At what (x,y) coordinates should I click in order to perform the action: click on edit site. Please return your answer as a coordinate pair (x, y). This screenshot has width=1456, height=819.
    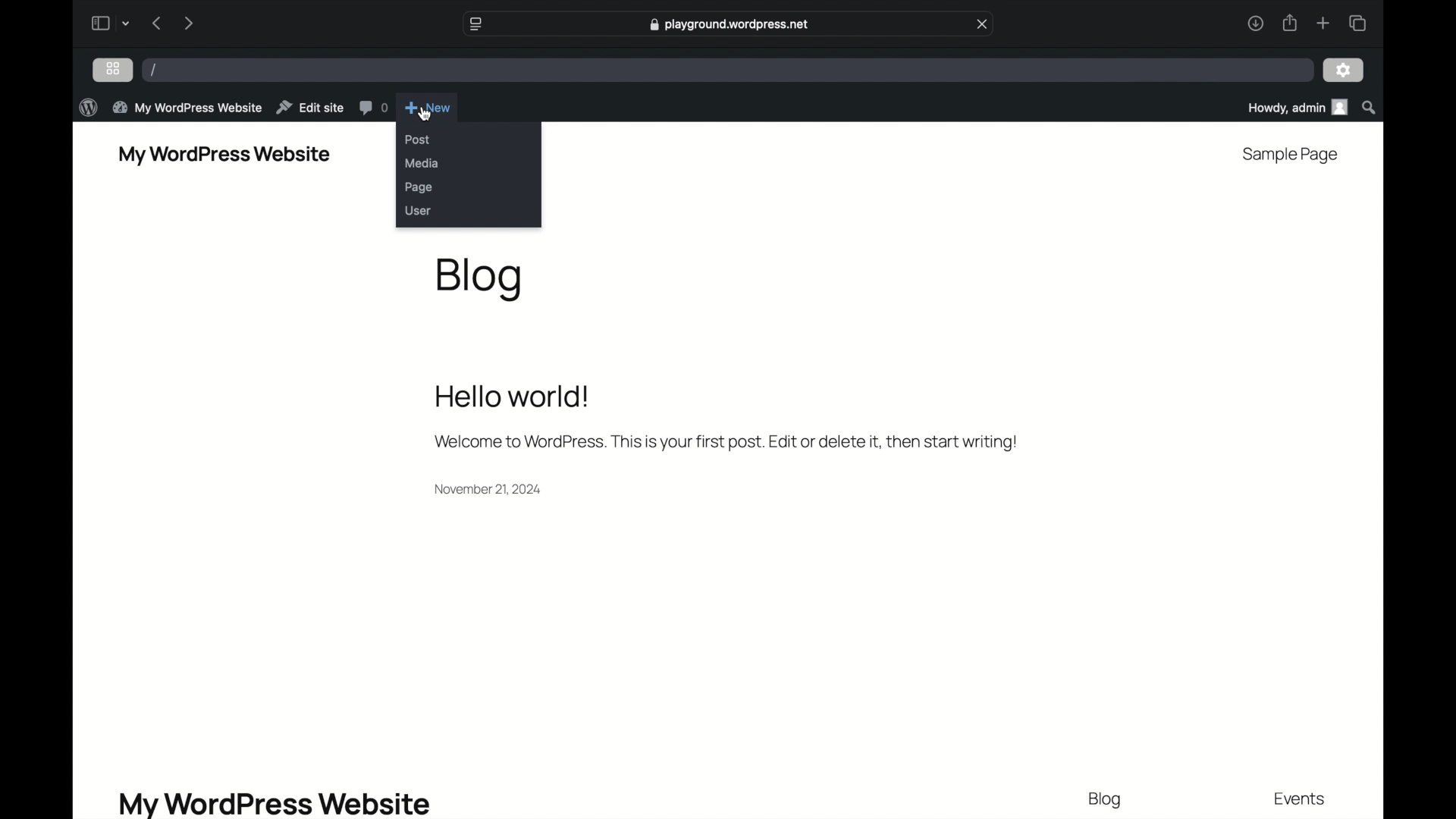
    Looking at the image, I should click on (309, 108).